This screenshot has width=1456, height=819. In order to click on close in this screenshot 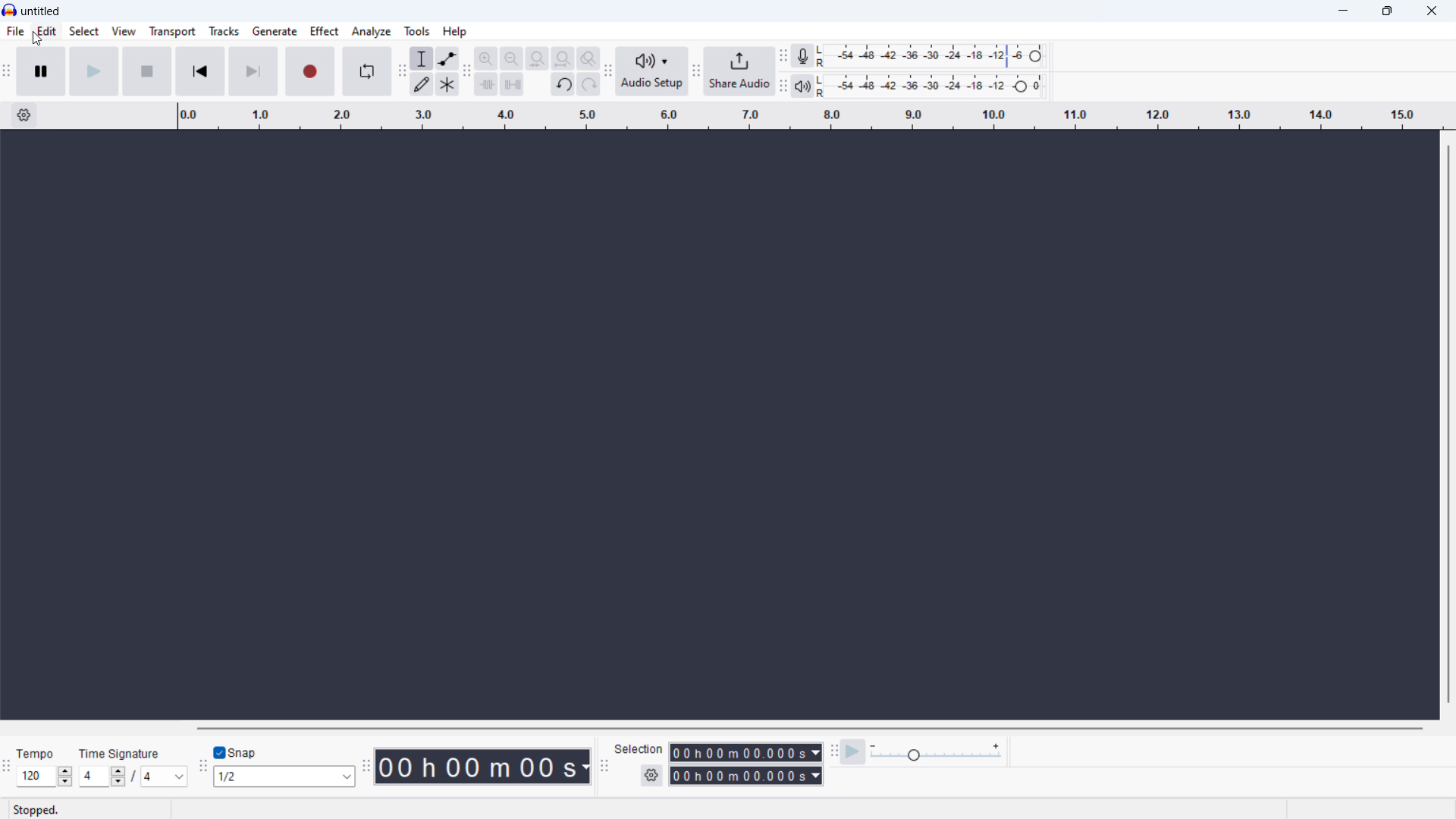, I will do `click(1432, 10)`.